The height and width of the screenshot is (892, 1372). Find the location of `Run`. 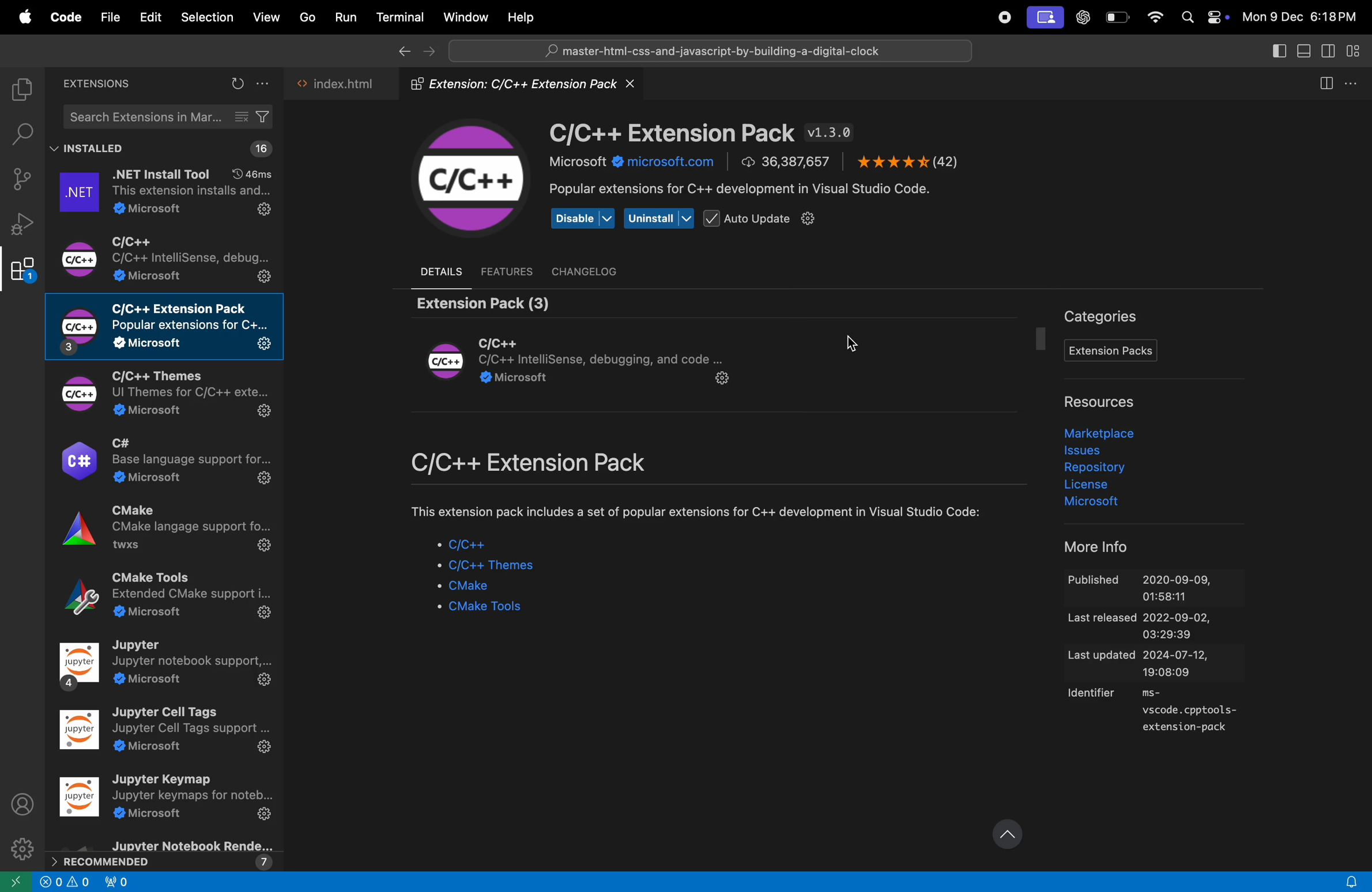

Run is located at coordinates (346, 17).